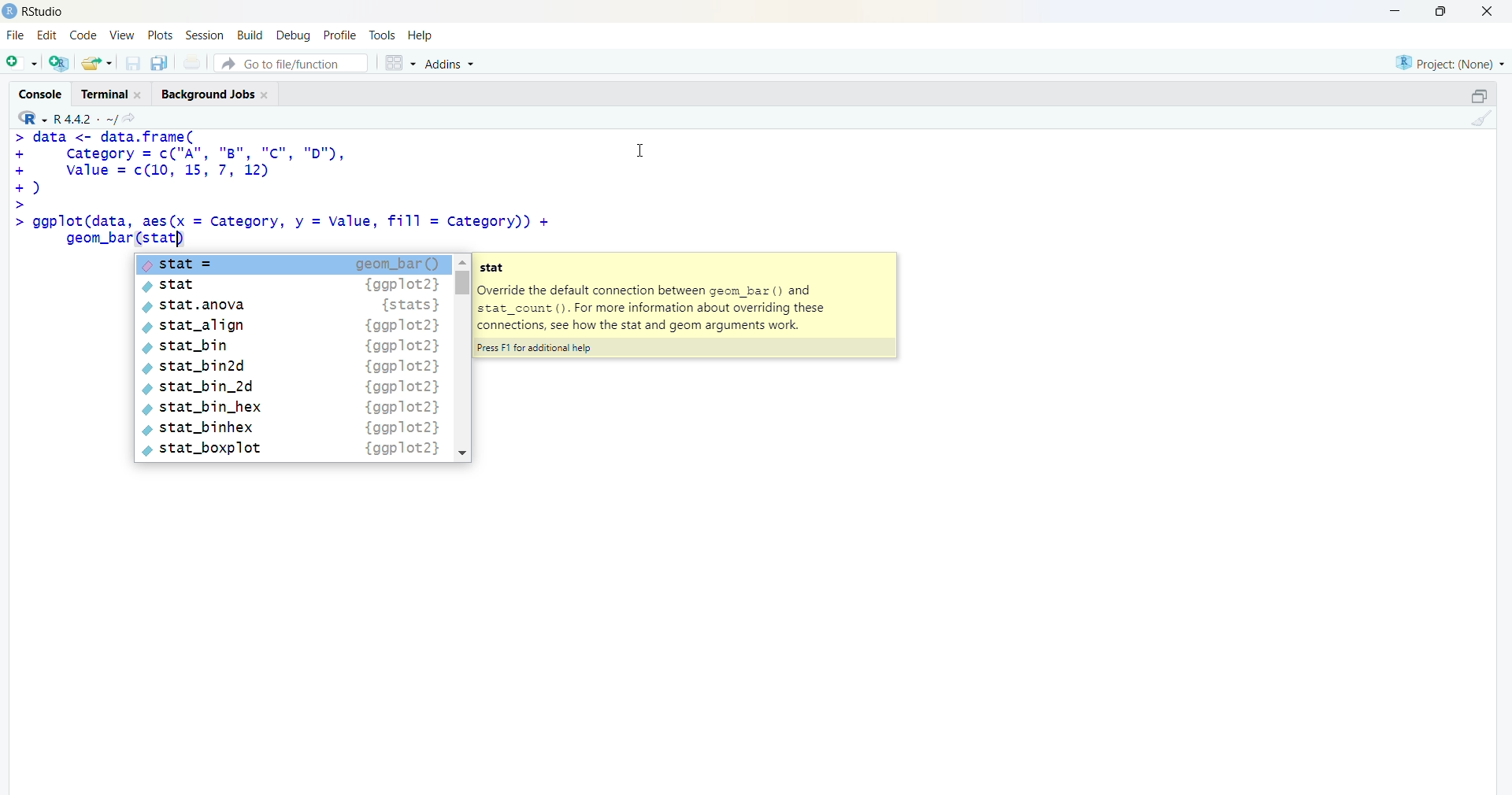 The width and height of the screenshot is (1512, 795). Describe the element at coordinates (133, 118) in the screenshot. I see `go to directiory` at that location.